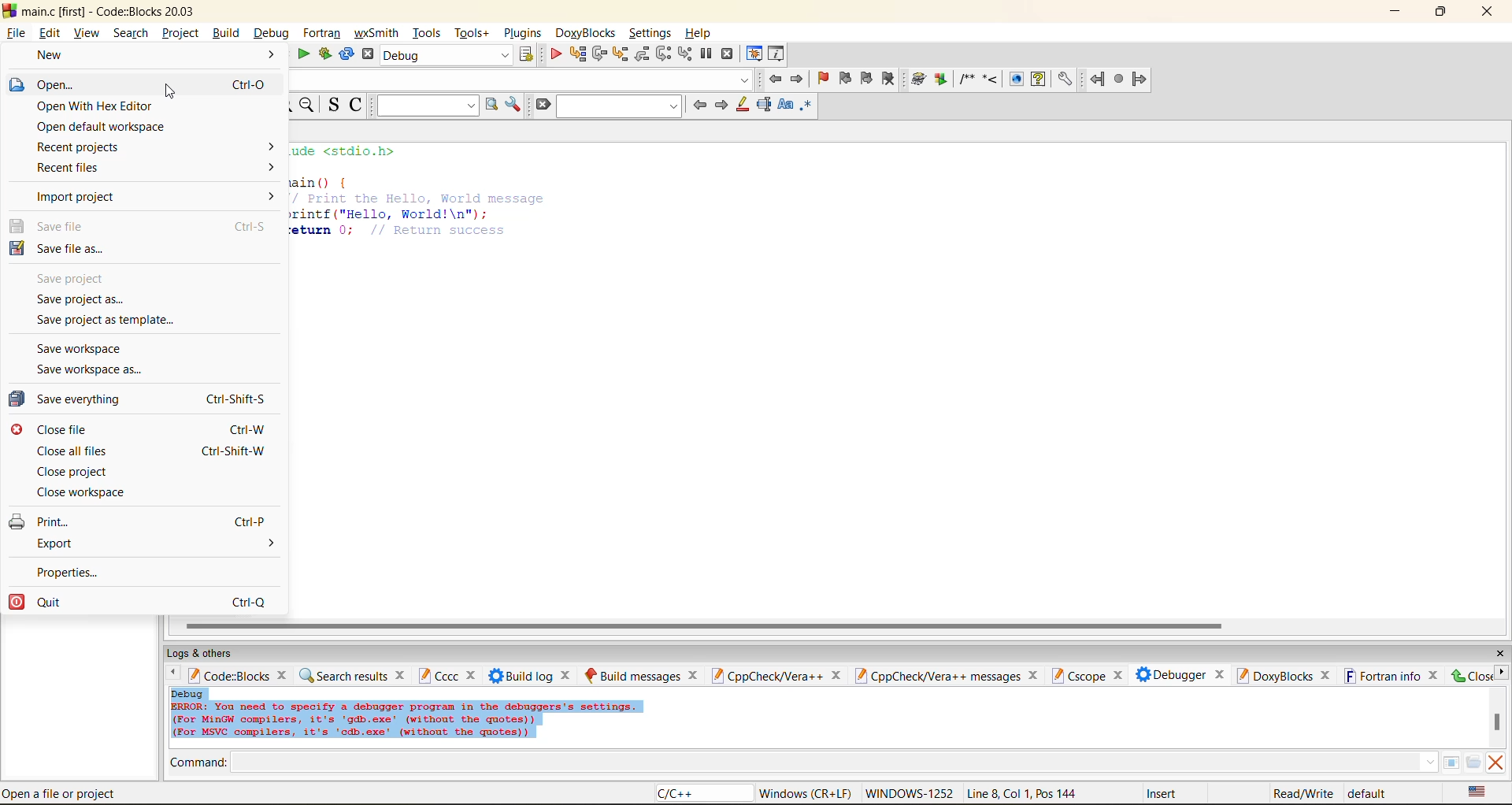 This screenshot has width=1512, height=805. I want to click on quit, so click(154, 602).